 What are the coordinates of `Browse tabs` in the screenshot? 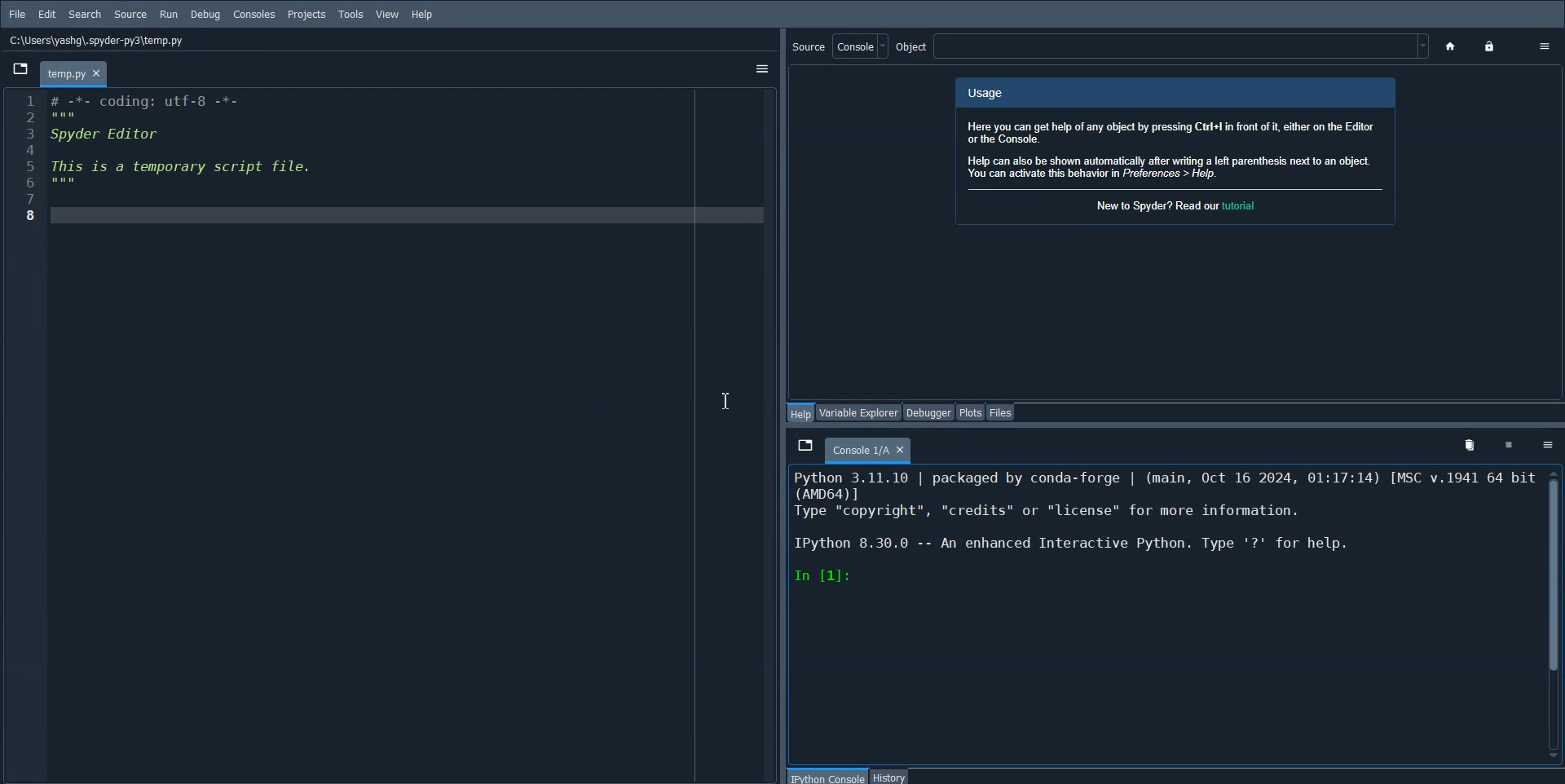 It's located at (804, 444).